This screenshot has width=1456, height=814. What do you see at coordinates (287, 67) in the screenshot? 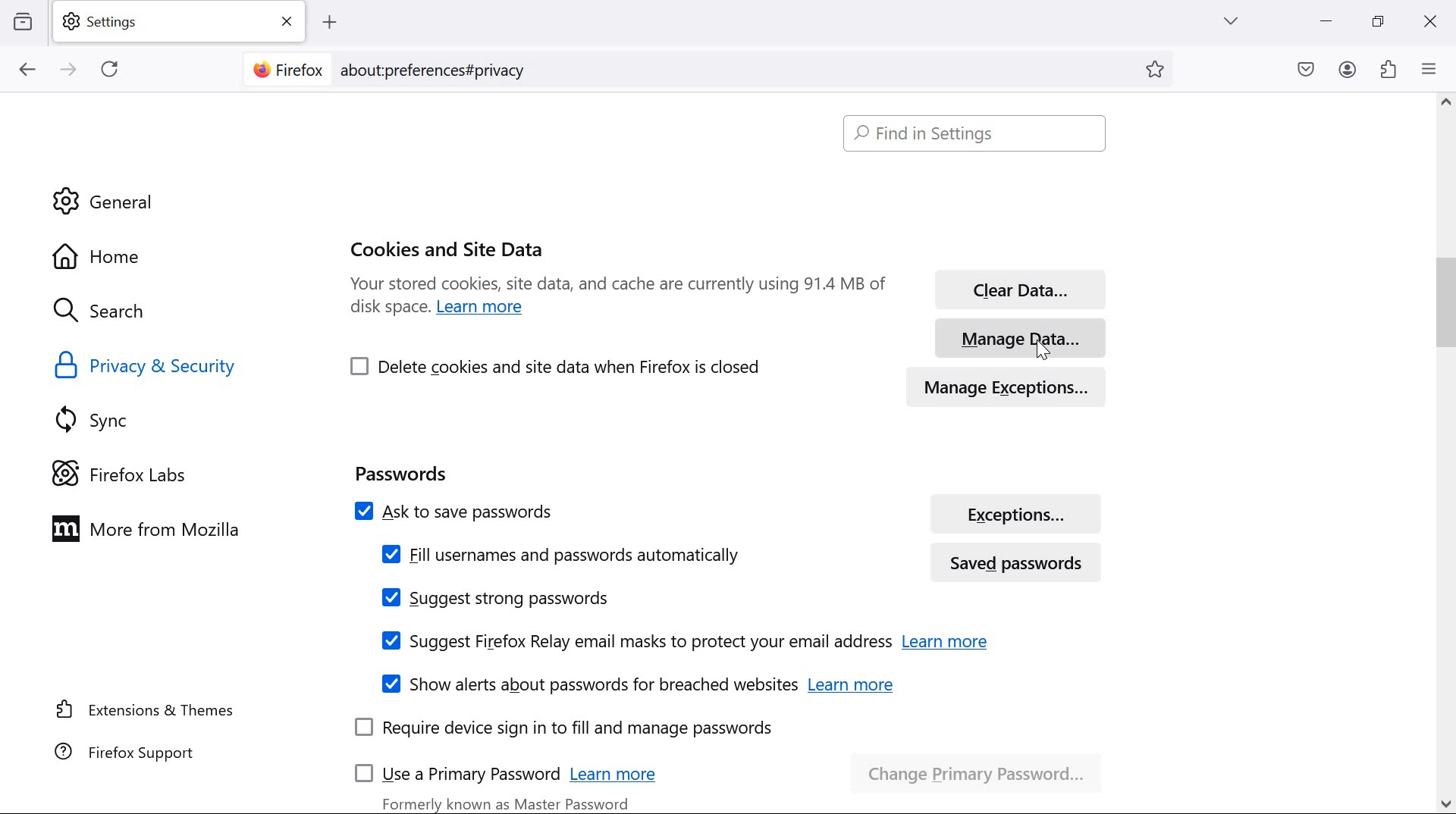
I see `Firefox` at bounding box center [287, 67].